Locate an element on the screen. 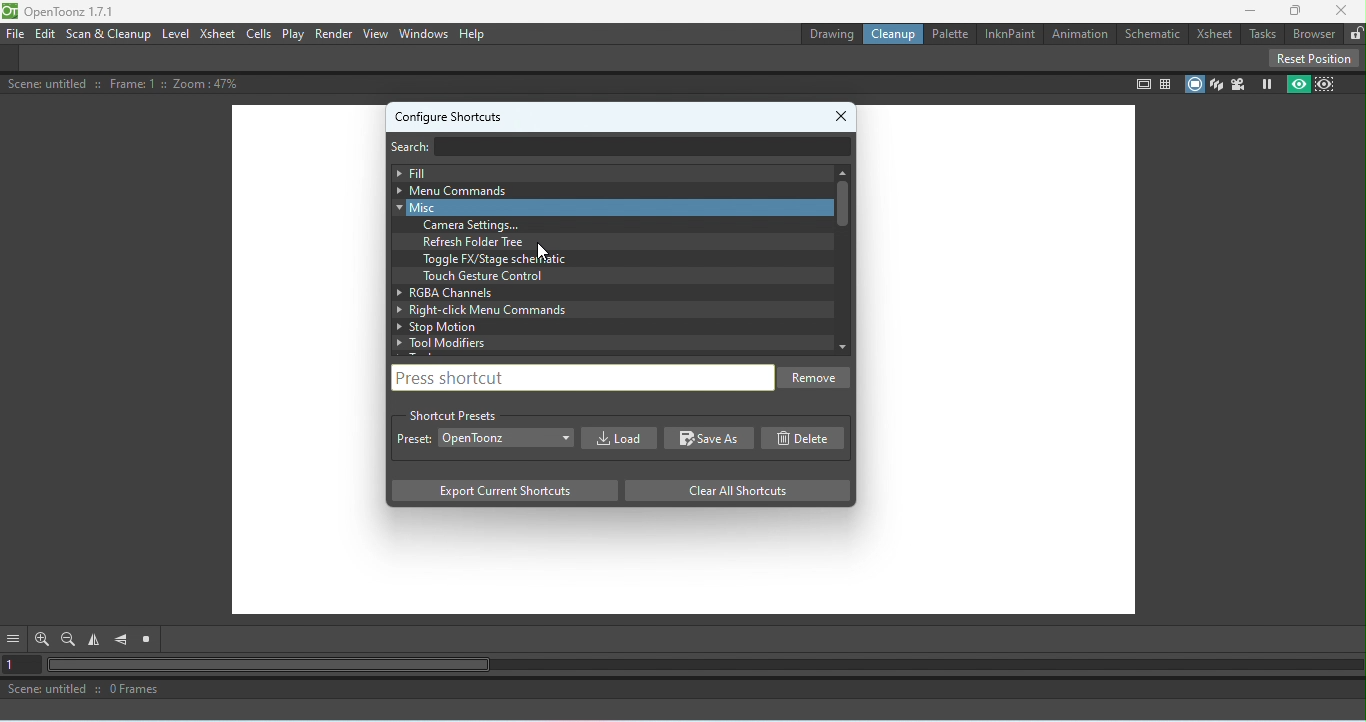  Horizontal scroll bar is located at coordinates (705, 666).